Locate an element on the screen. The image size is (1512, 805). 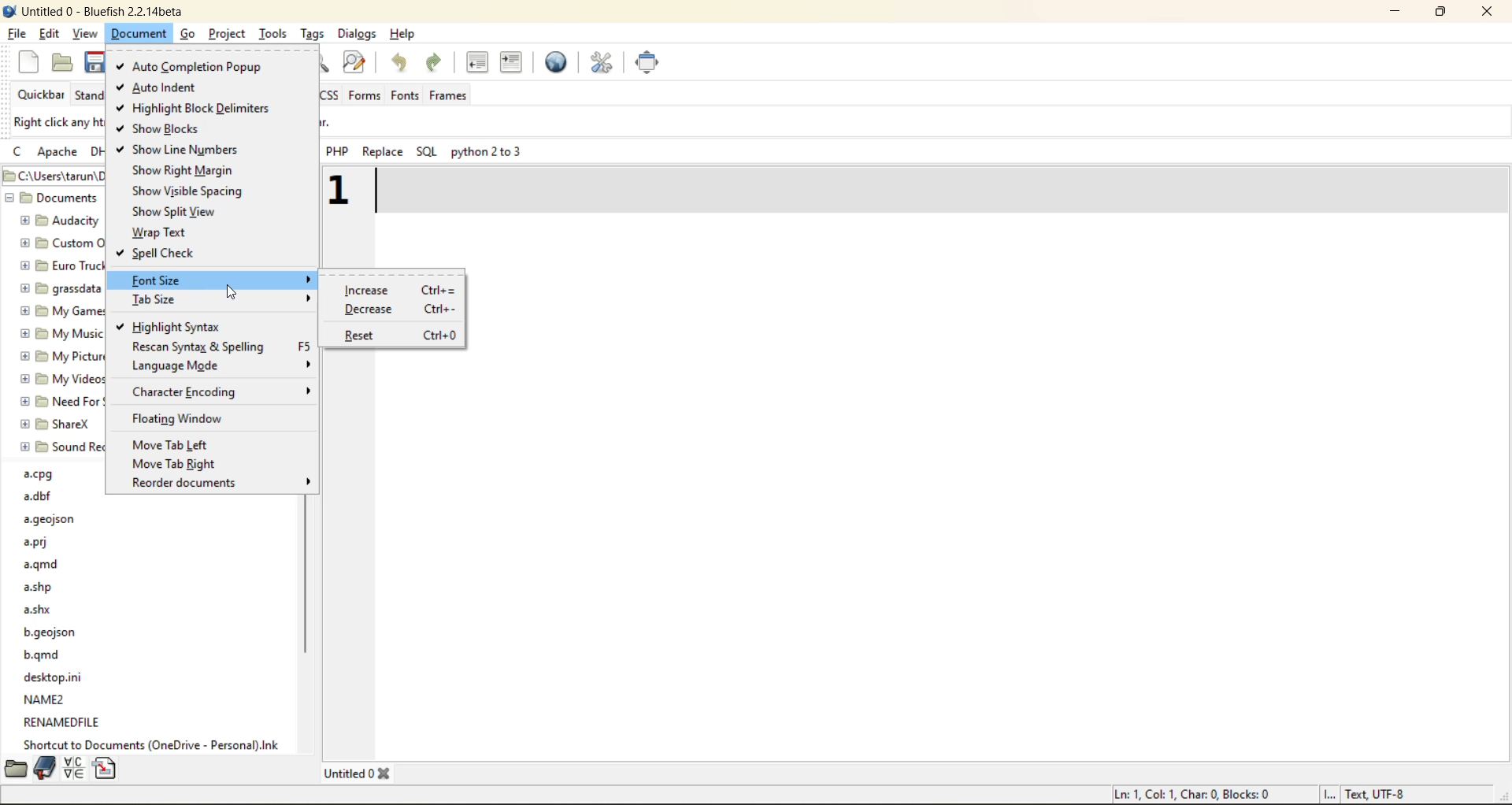
Untitled 0 - Bluefish 2.2.14beta is located at coordinates (98, 10).